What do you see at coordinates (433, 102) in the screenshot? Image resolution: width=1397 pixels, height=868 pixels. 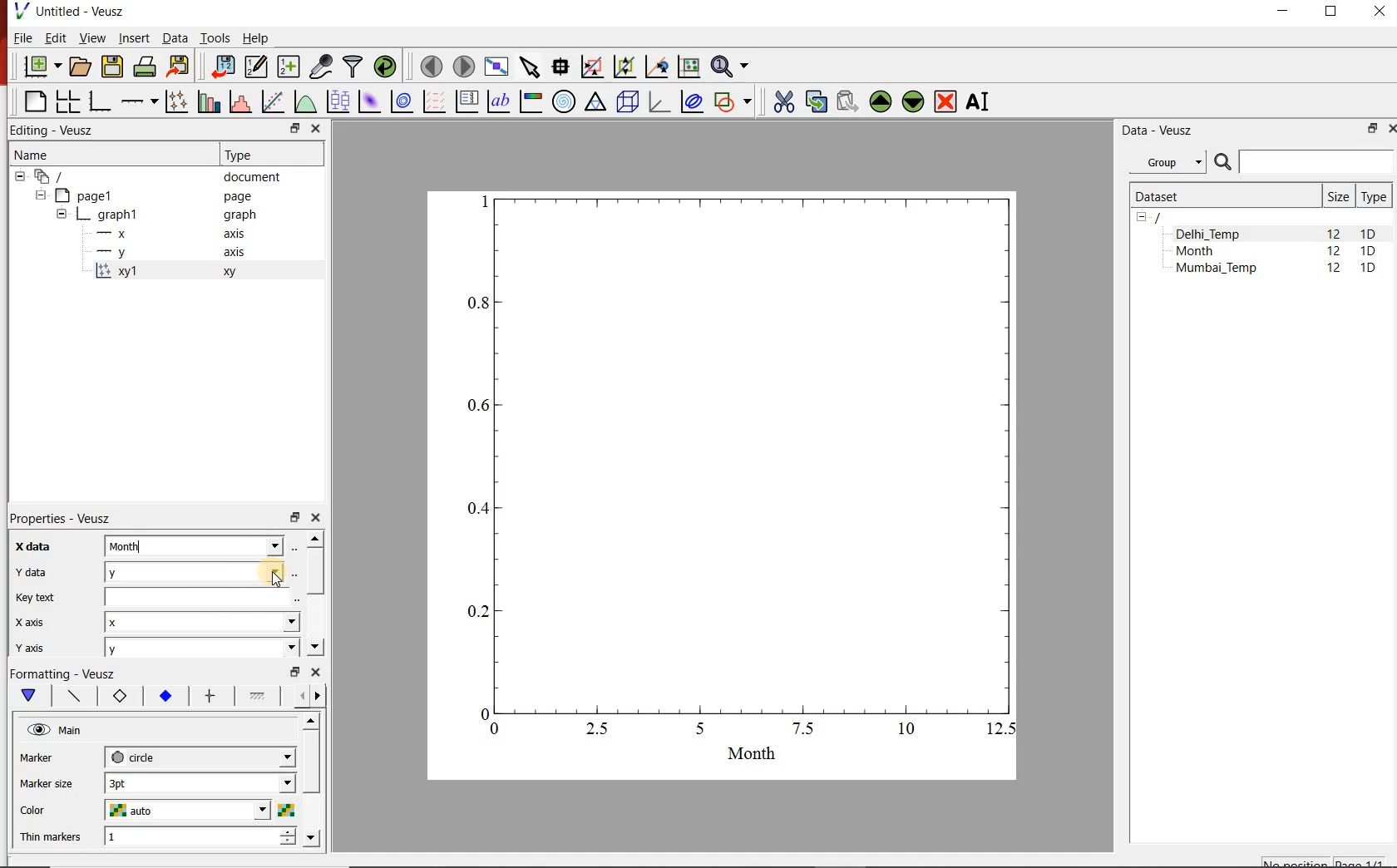 I see `plot a vector field` at bounding box center [433, 102].